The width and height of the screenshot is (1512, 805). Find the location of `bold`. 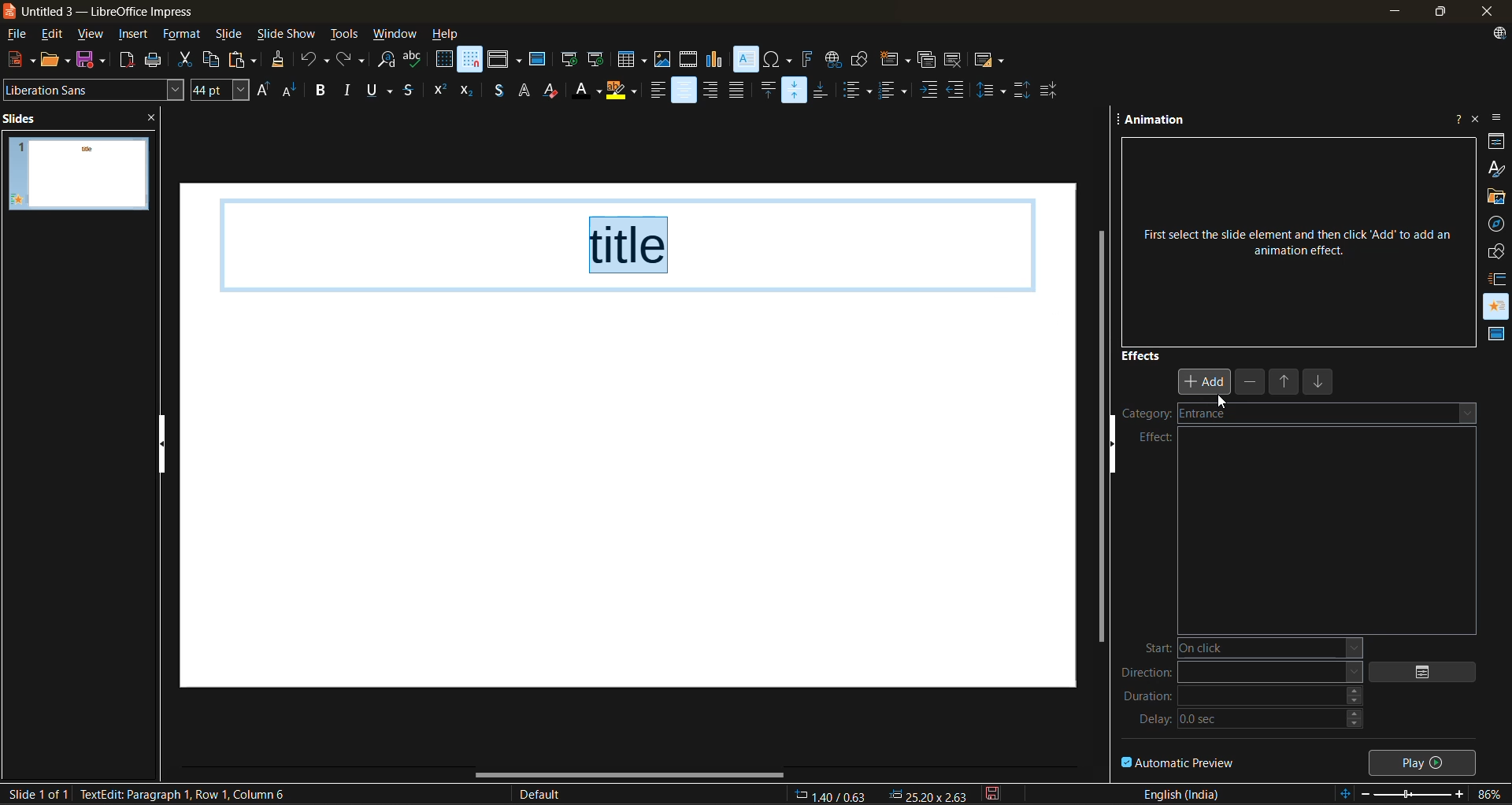

bold is located at coordinates (322, 91).